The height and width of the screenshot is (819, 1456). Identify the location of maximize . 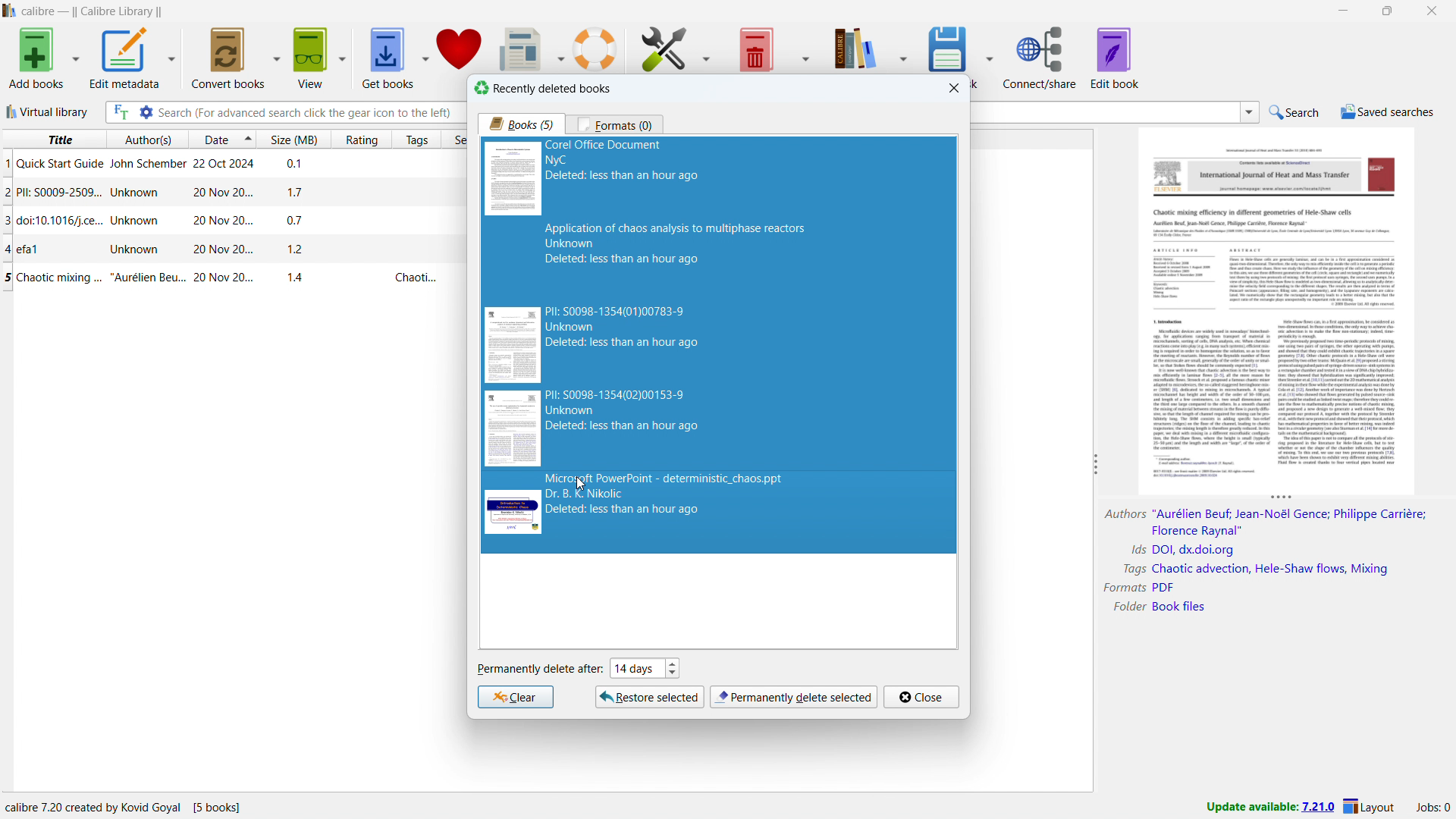
(1387, 11).